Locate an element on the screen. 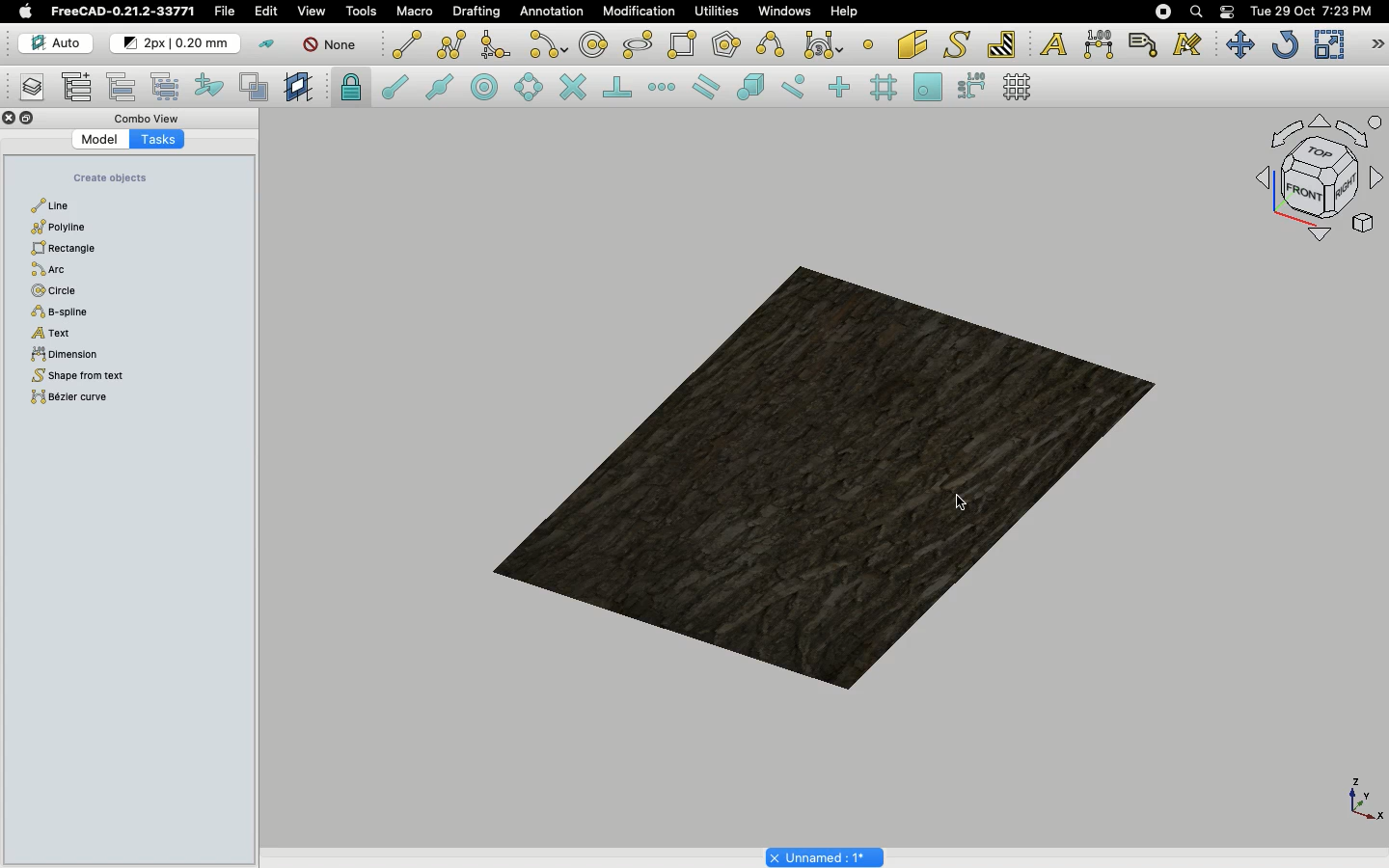  Navigation styles is located at coordinates (1315, 181).